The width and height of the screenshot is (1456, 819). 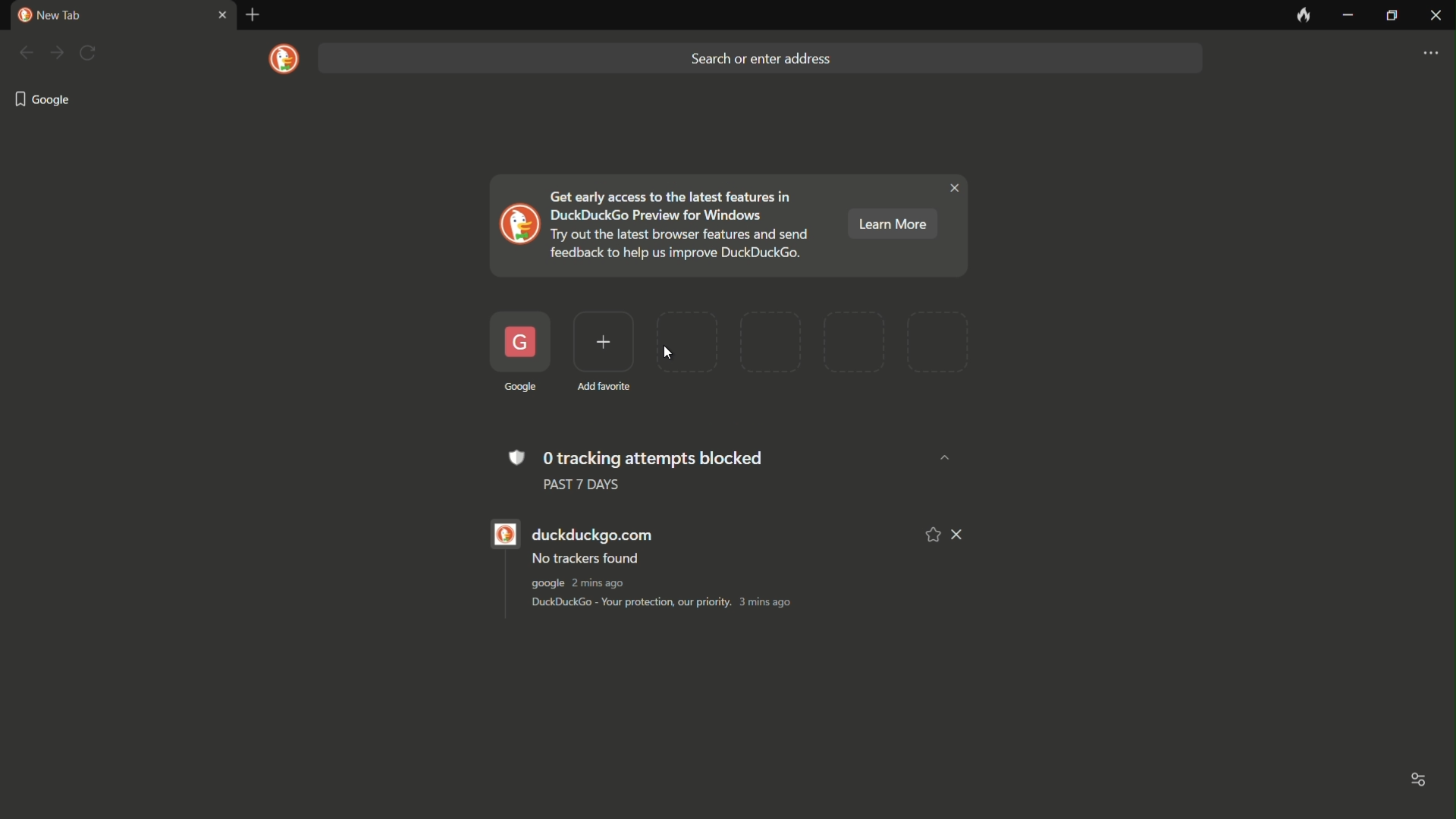 I want to click on close, so click(x=954, y=189).